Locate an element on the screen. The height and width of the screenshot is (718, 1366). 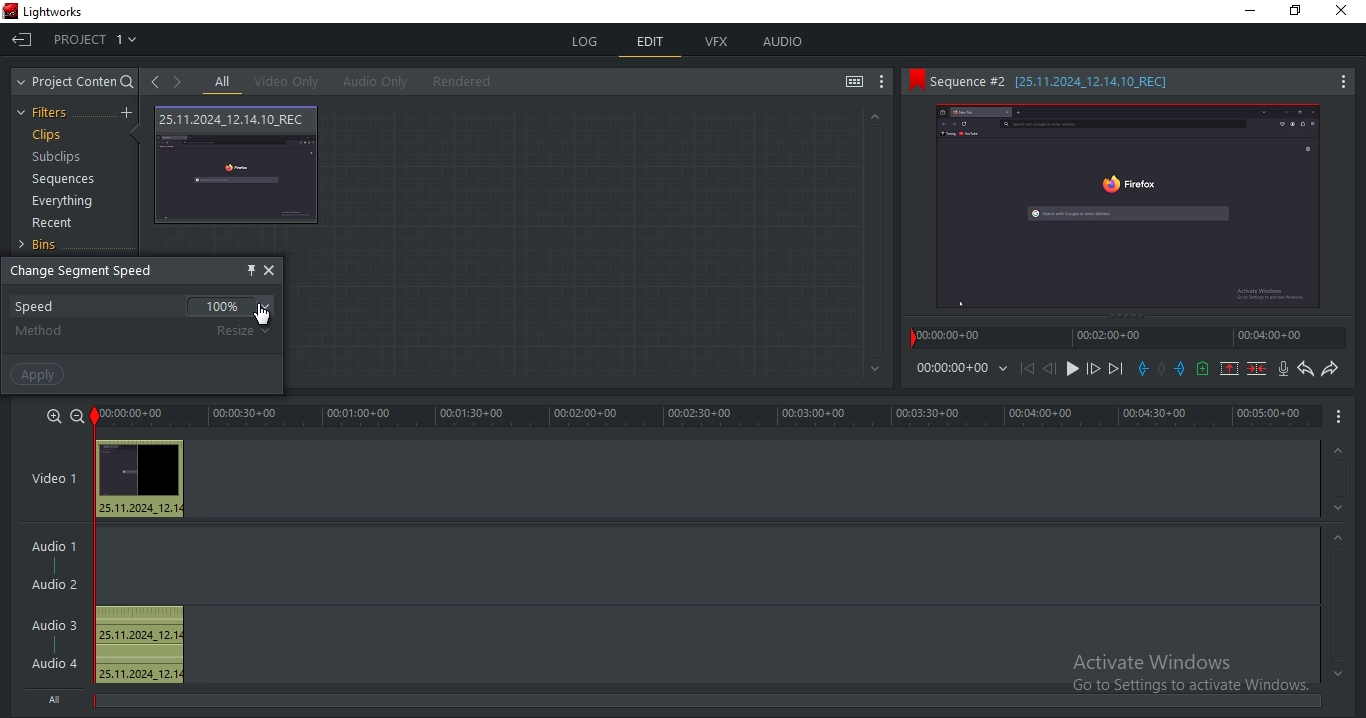
audio is located at coordinates (783, 42).